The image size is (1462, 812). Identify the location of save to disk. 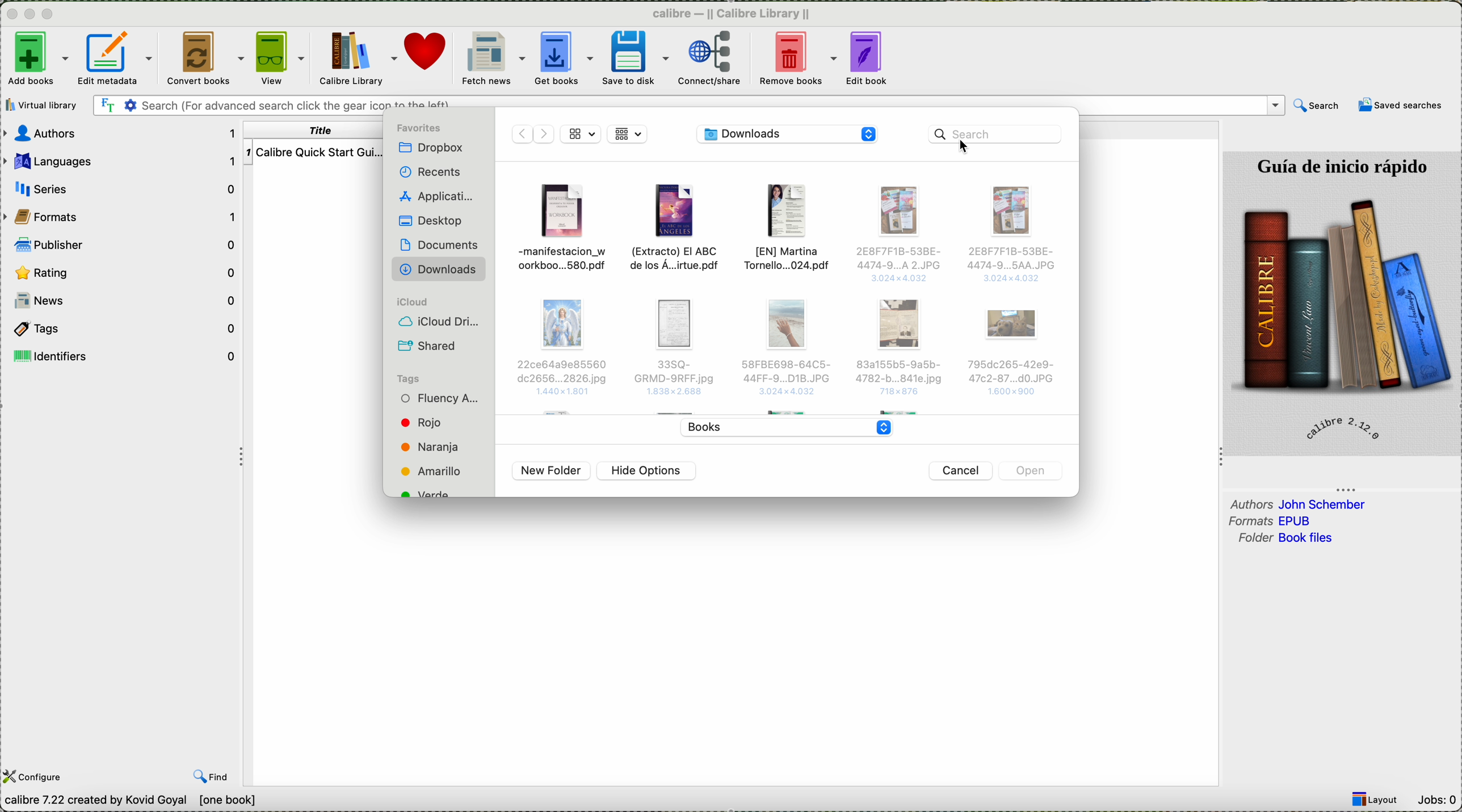
(633, 58).